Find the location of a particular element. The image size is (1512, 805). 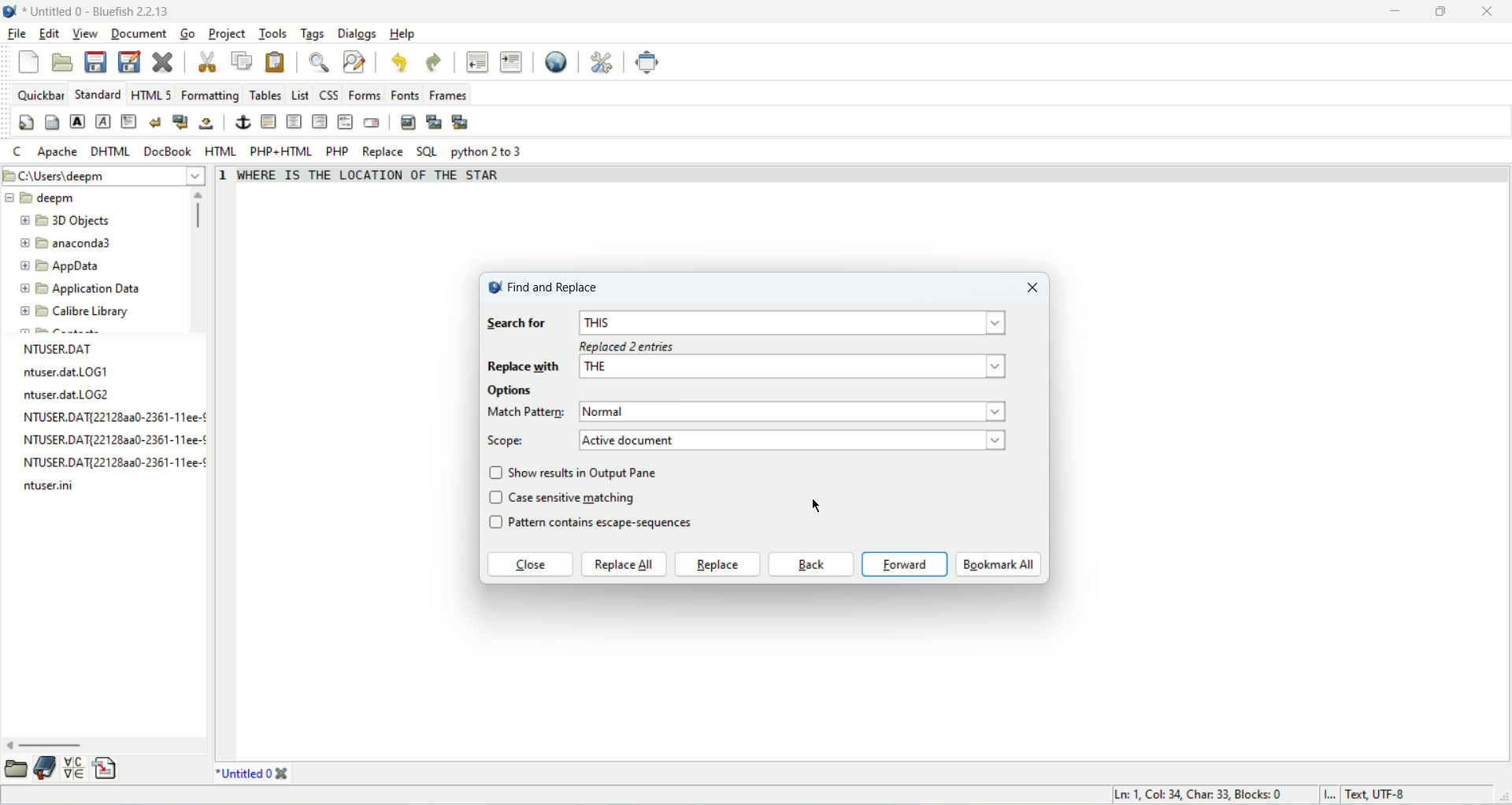

logo is located at coordinates (494, 290).